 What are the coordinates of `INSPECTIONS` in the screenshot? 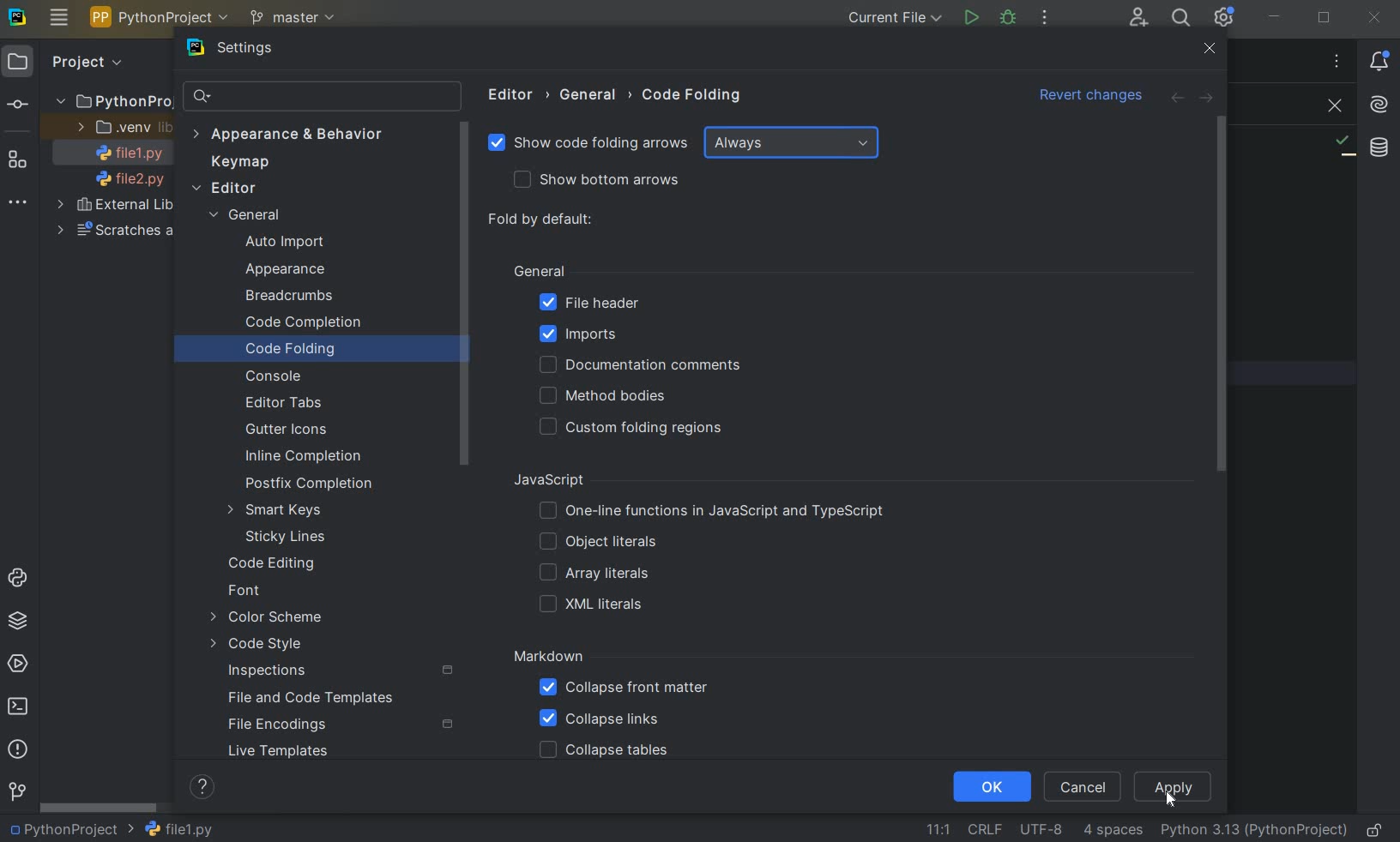 It's located at (341, 671).